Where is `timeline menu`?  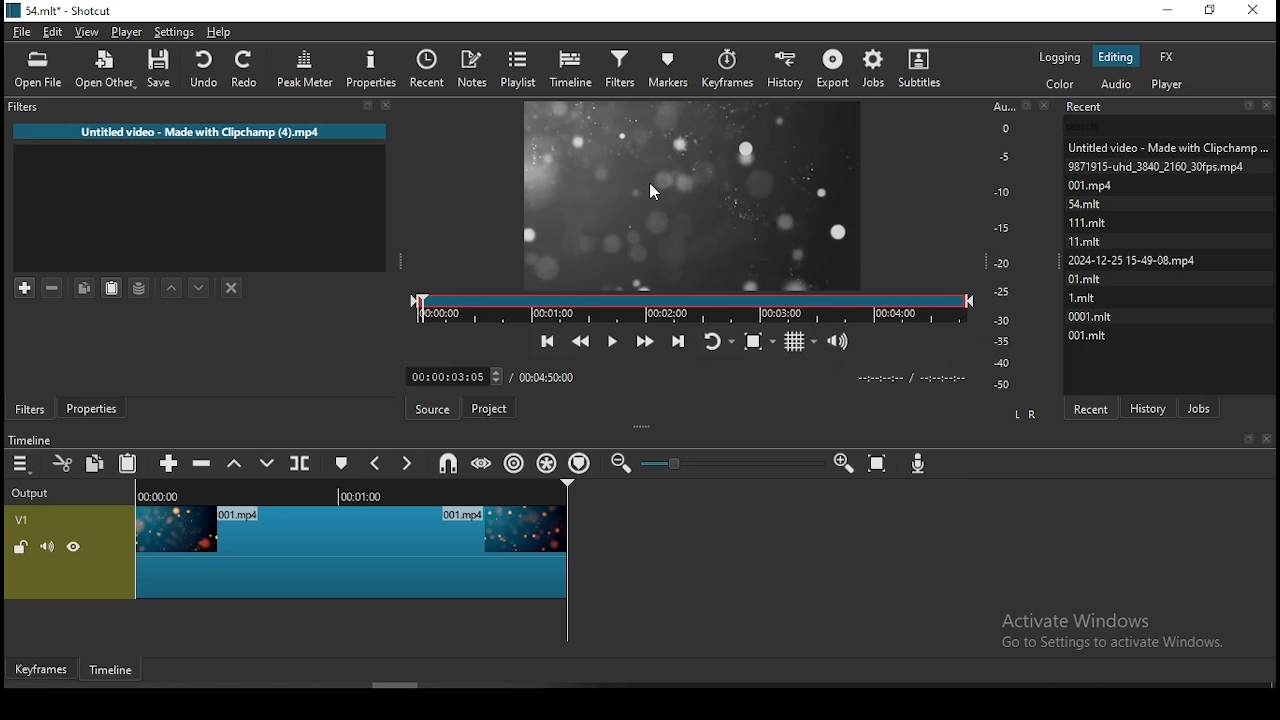
timeline menu is located at coordinates (21, 464).